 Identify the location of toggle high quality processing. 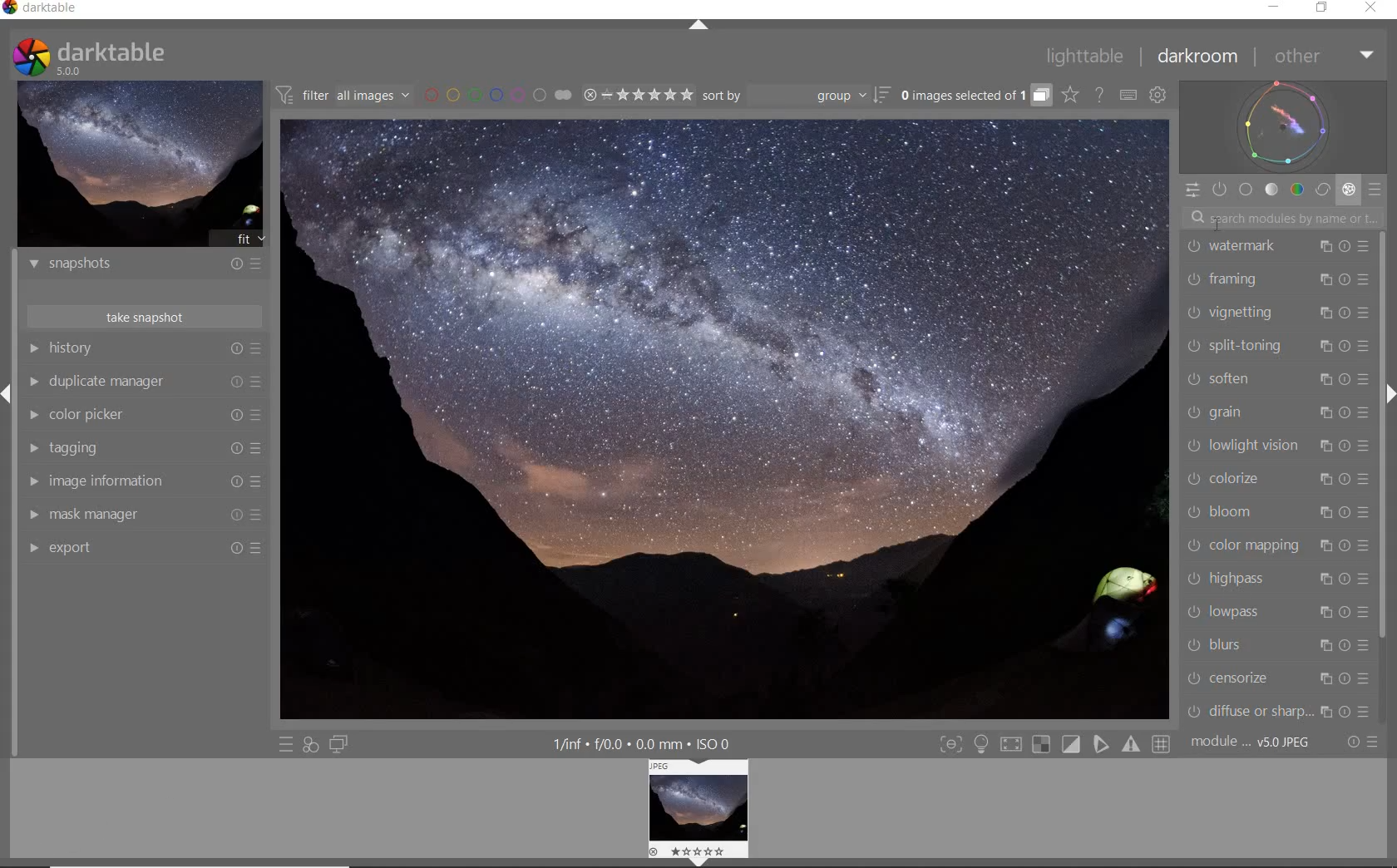
(1015, 748).